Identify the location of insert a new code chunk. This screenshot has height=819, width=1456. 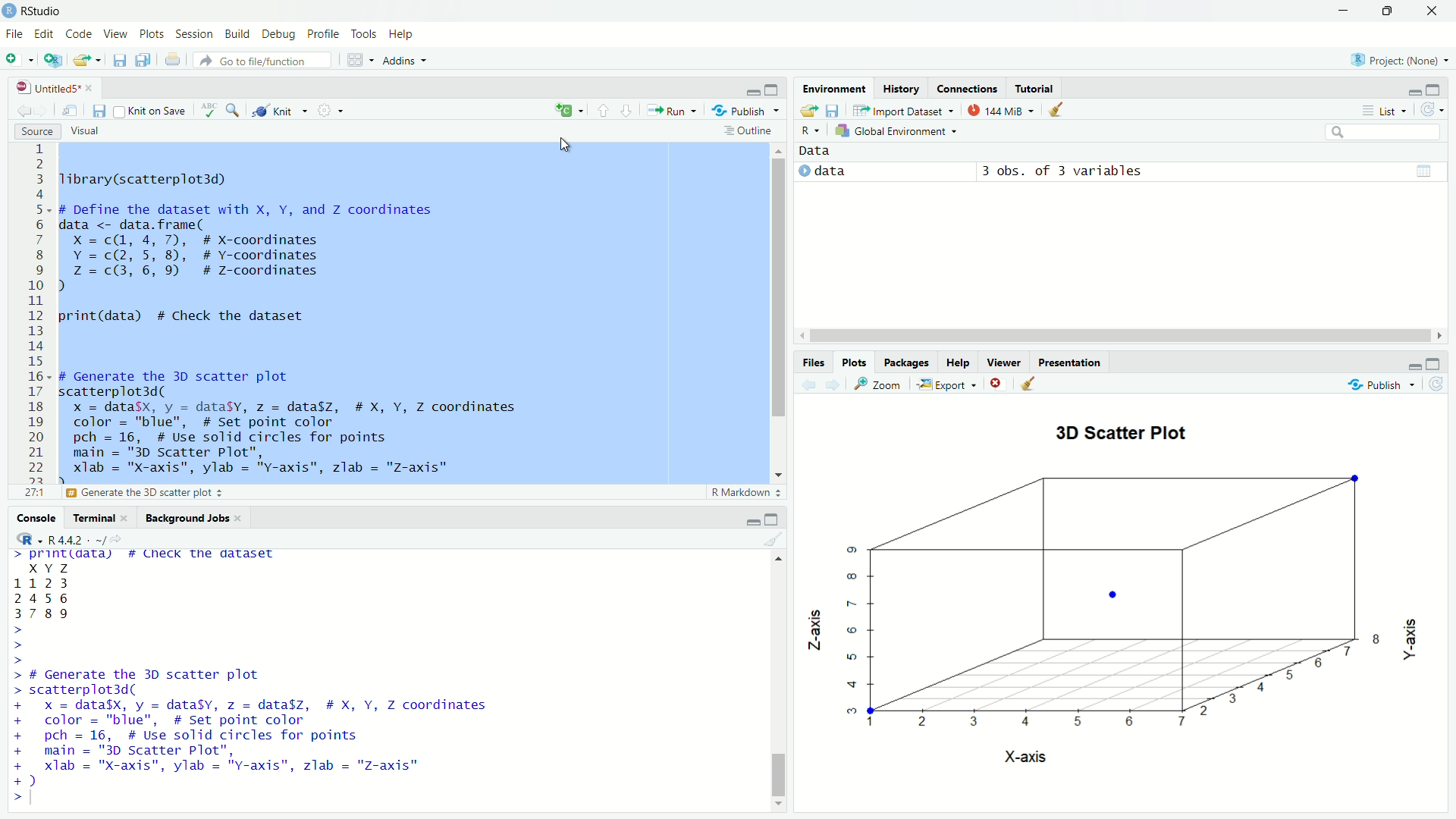
(571, 111).